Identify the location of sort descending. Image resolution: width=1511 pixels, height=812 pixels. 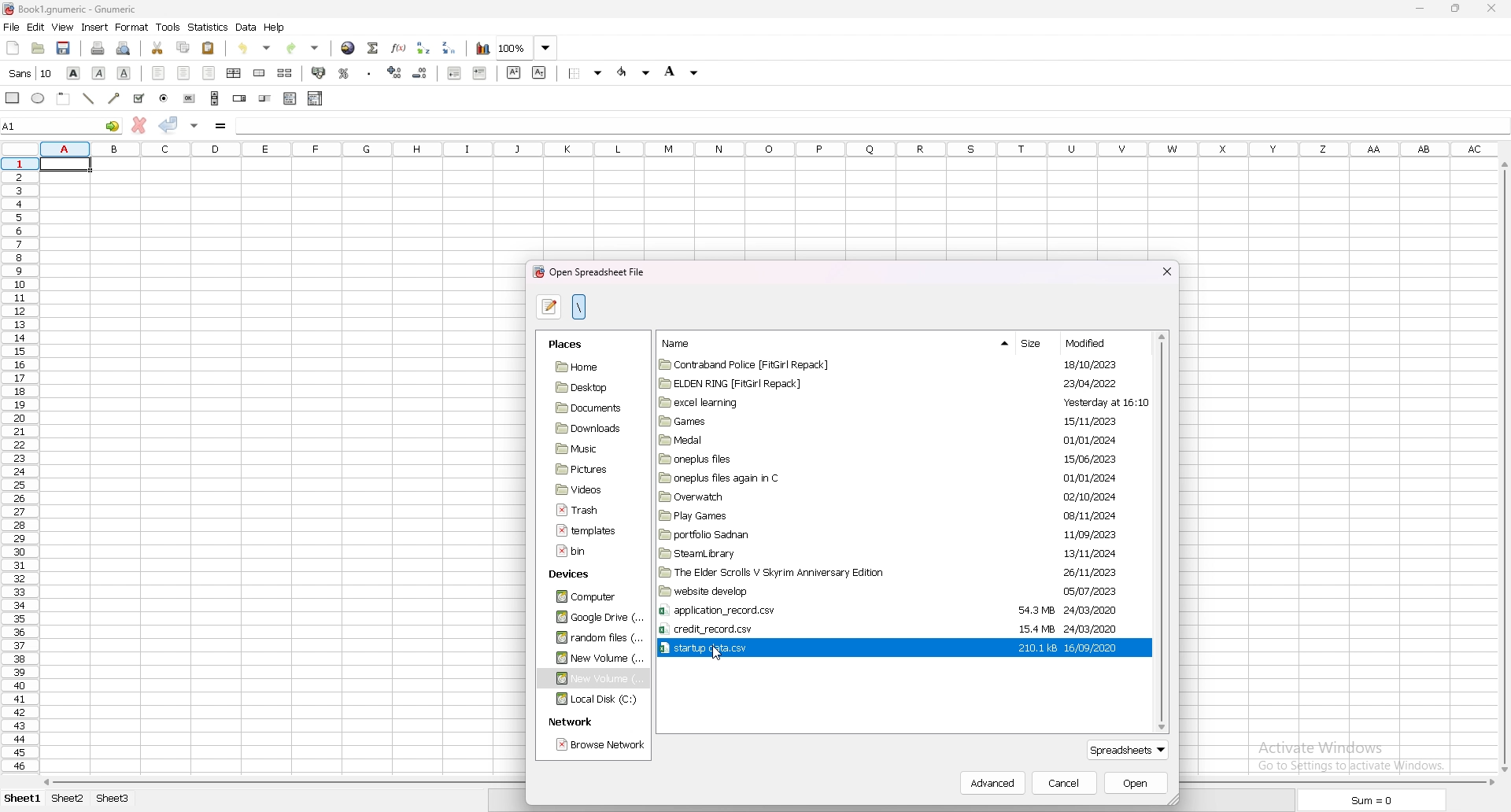
(450, 46).